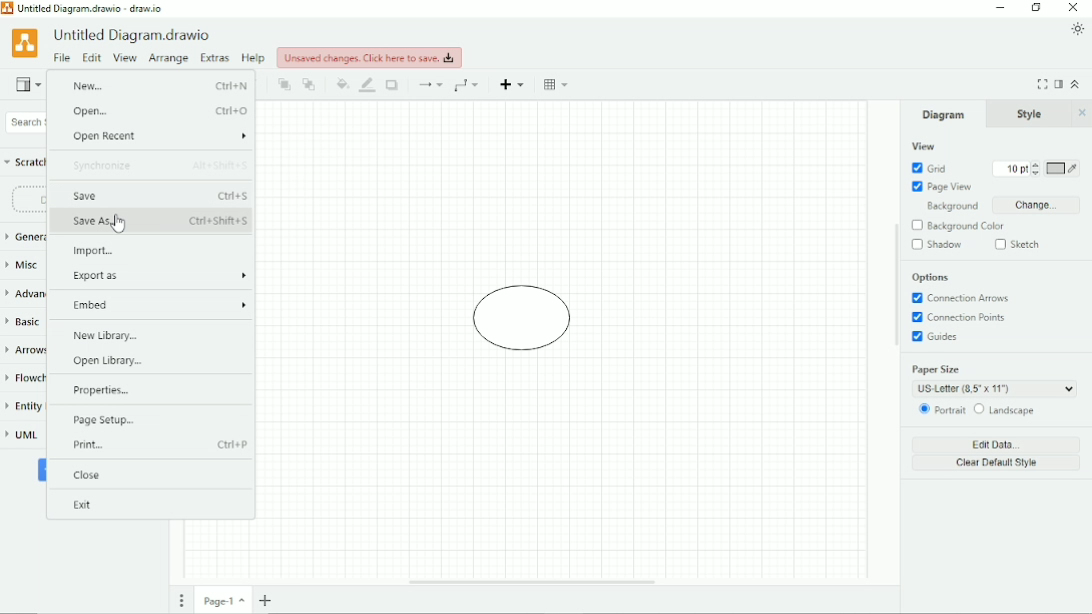 The height and width of the screenshot is (614, 1092). What do you see at coordinates (23, 378) in the screenshot?
I see `Flowchart` at bounding box center [23, 378].